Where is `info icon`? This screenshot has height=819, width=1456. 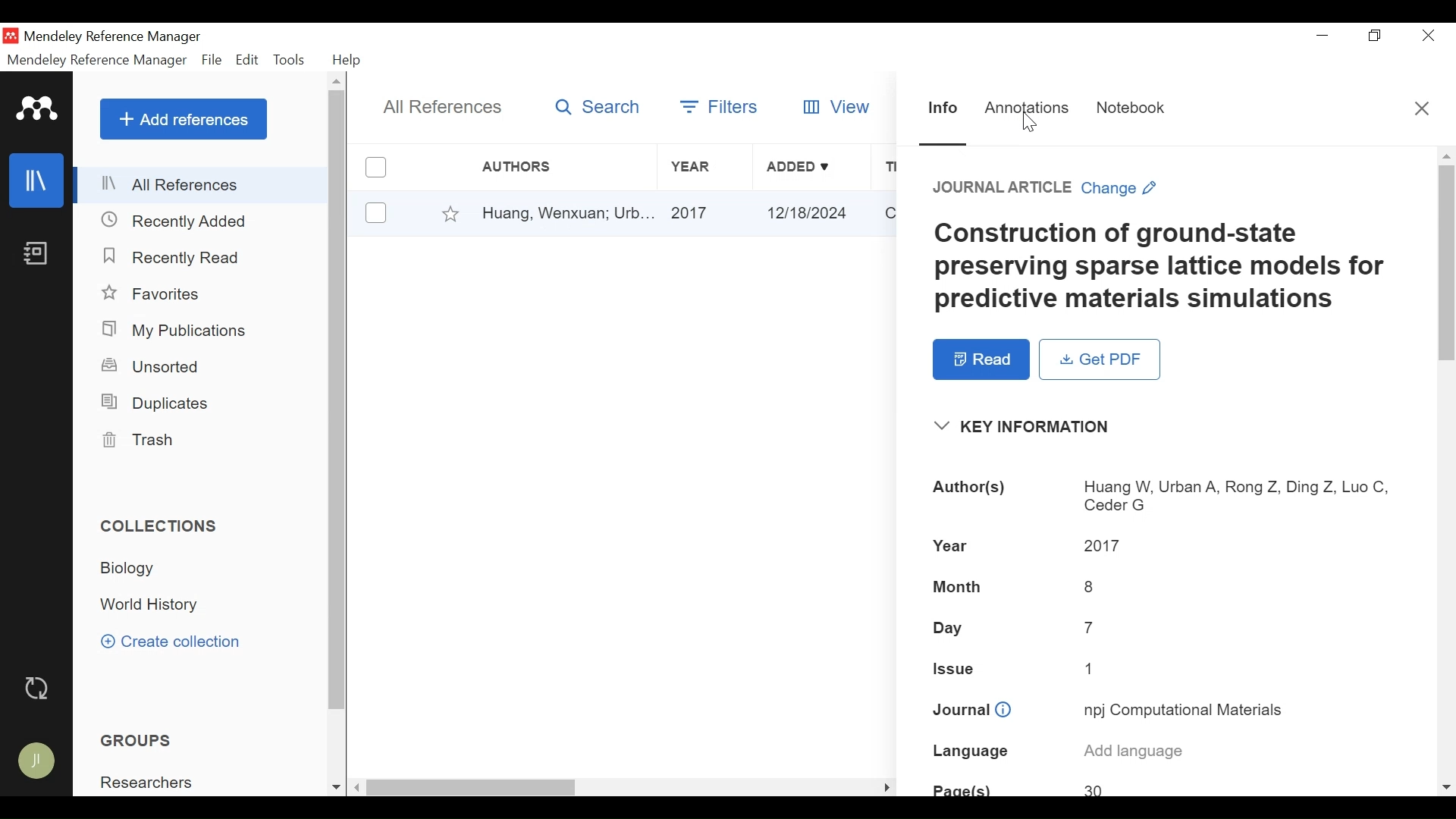
info icon is located at coordinates (1003, 711).